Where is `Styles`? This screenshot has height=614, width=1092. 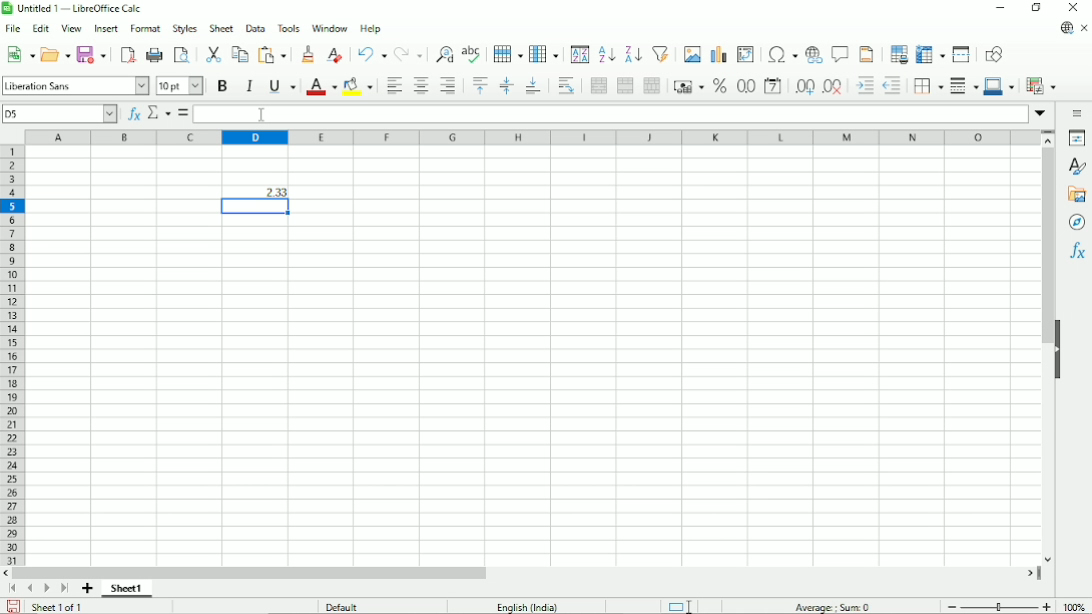 Styles is located at coordinates (1078, 167).